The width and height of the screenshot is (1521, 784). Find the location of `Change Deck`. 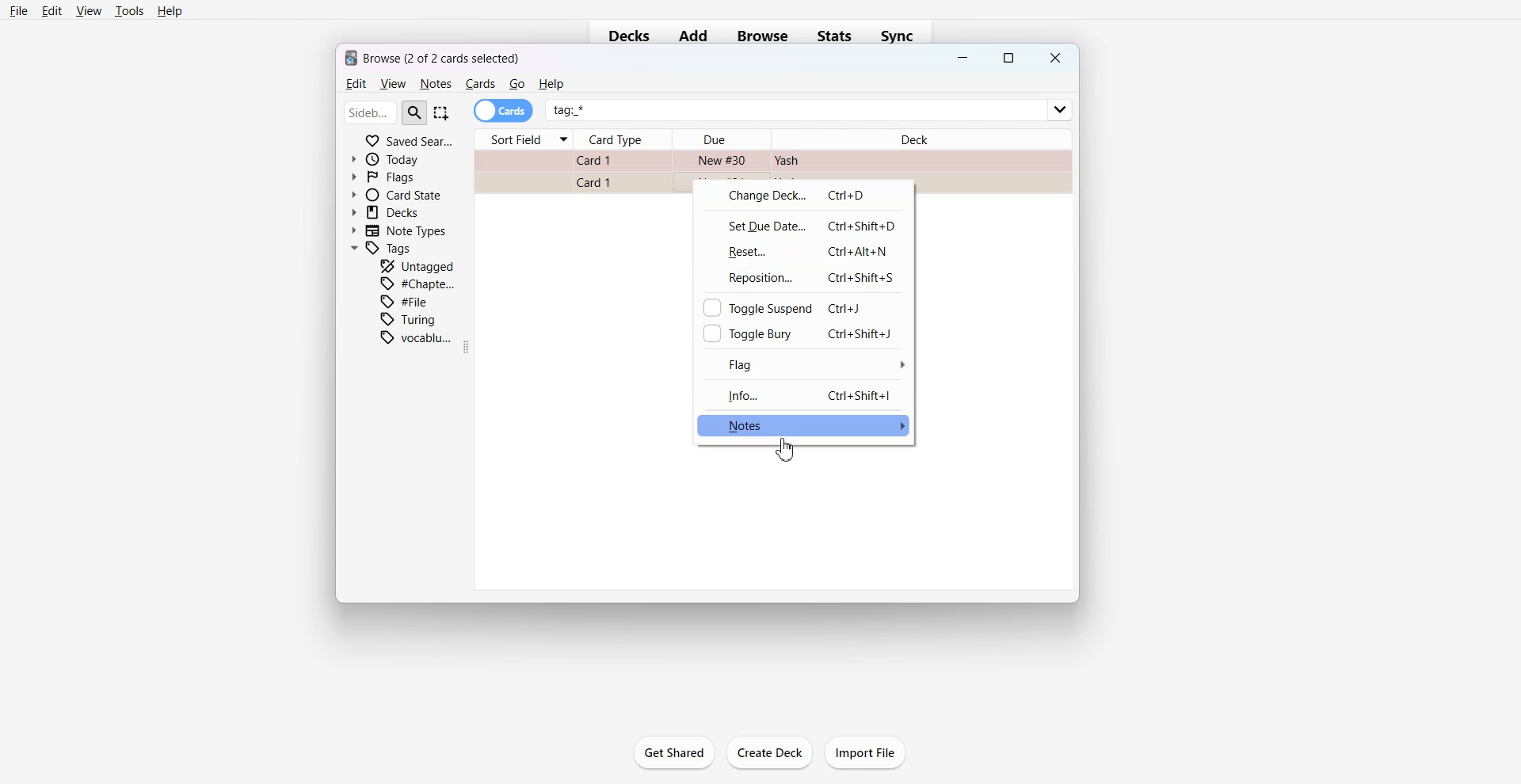

Change Deck is located at coordinates (802, 196).